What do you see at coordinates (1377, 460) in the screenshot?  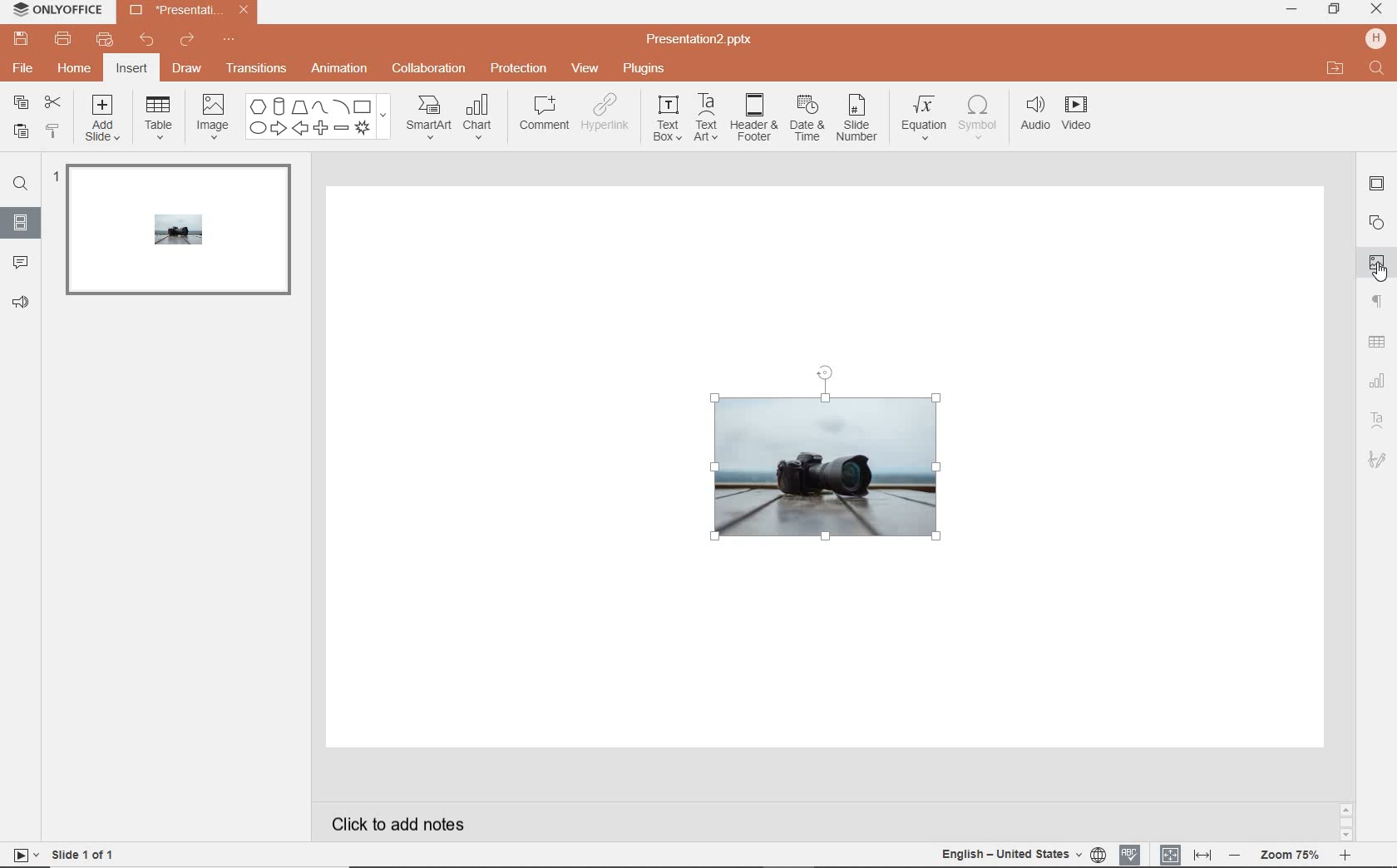 I see `signature` at bounding box center [1377, 460].